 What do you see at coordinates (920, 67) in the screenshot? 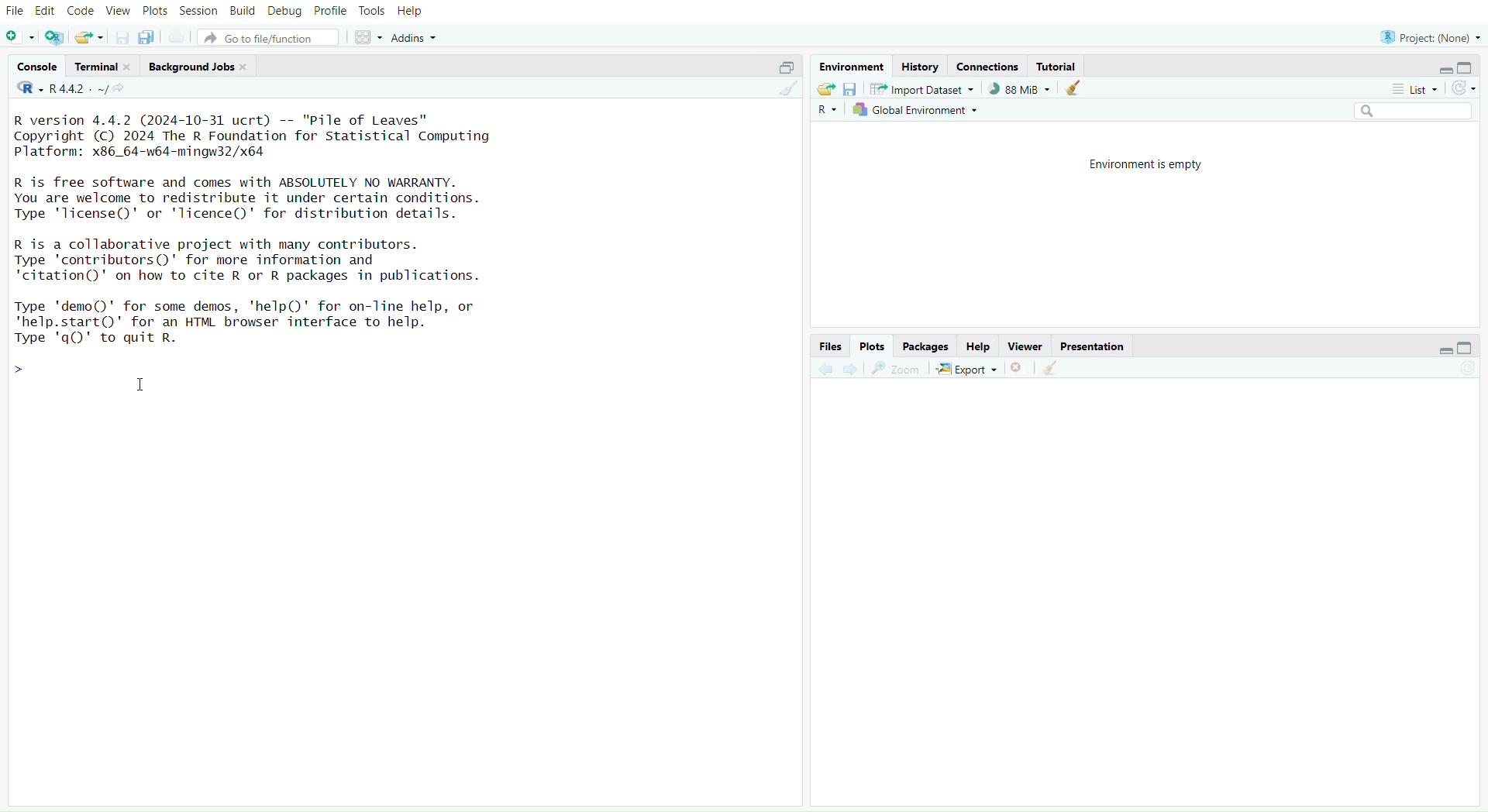
I see `history` at bounding box center [920, 67].